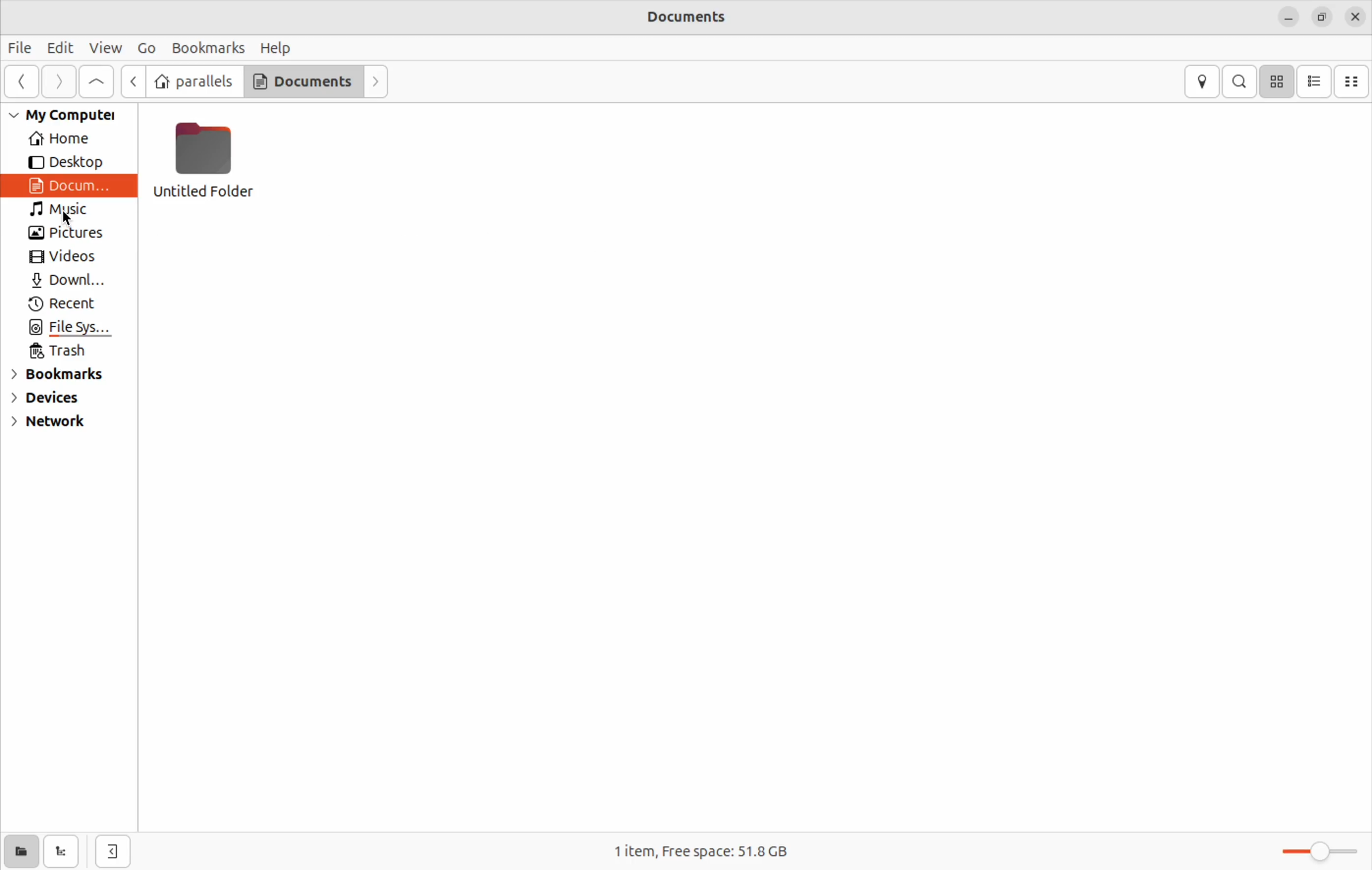 Image resolution: width=1372 pixels, height=870 pixels. What do you see at coordinates (690, 18) in the screenshot?
I see `Documents` at bounding box center [690, 18].